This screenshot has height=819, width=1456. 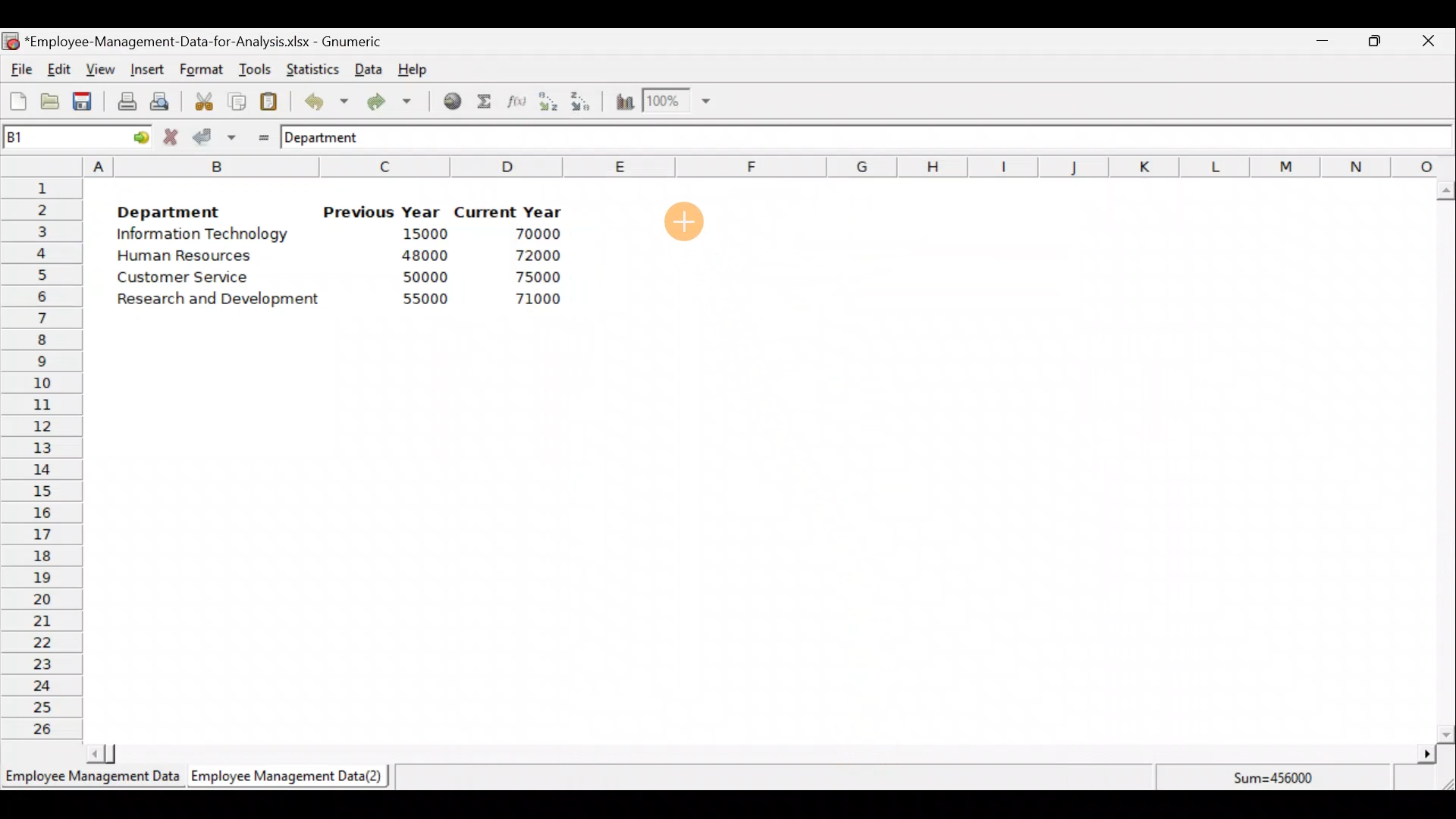 I want to click on 72000, so click(x=529, y=256).